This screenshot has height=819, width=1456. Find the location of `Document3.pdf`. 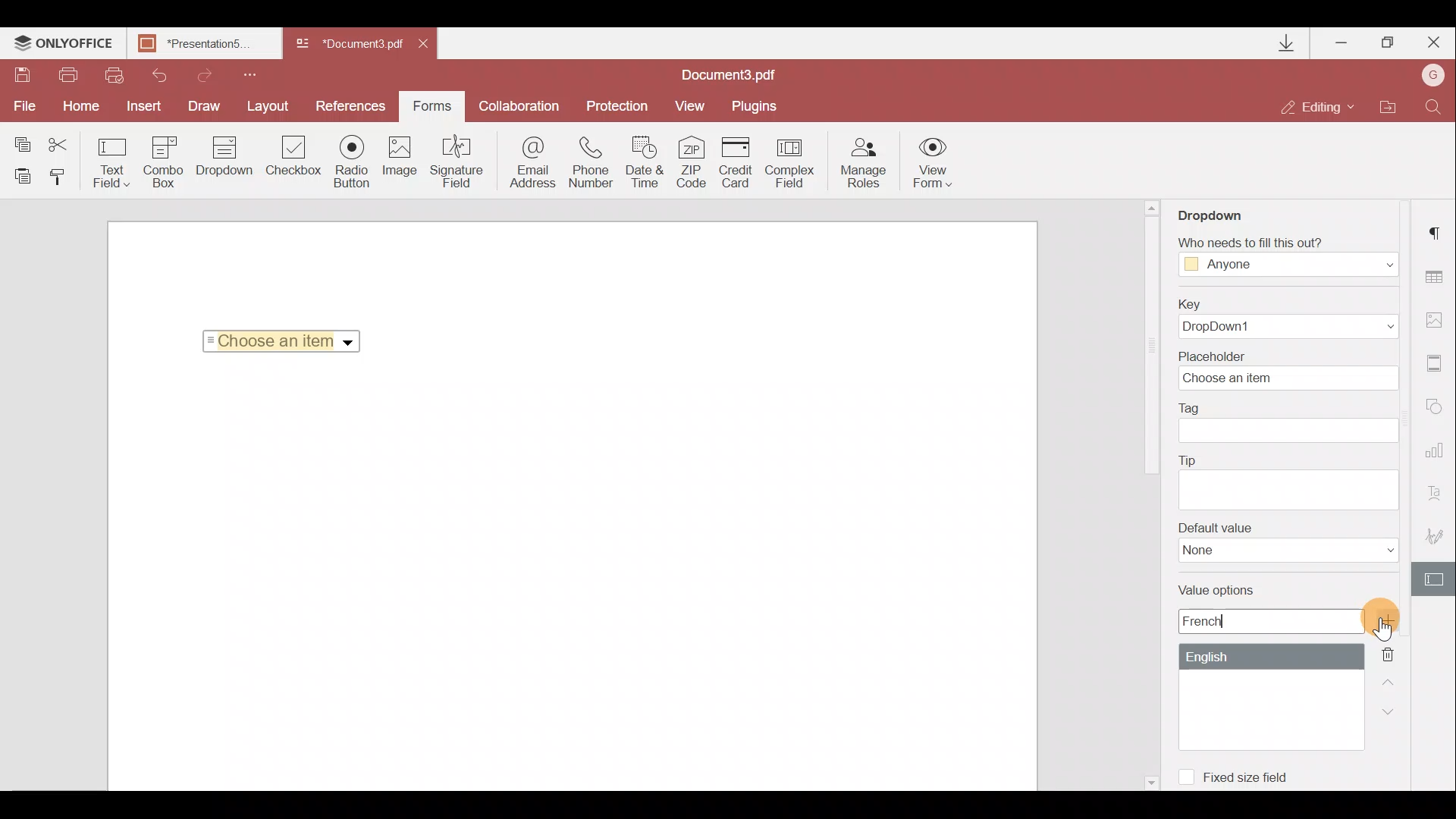

Document3.pdf is located at coordinates (747, 74).